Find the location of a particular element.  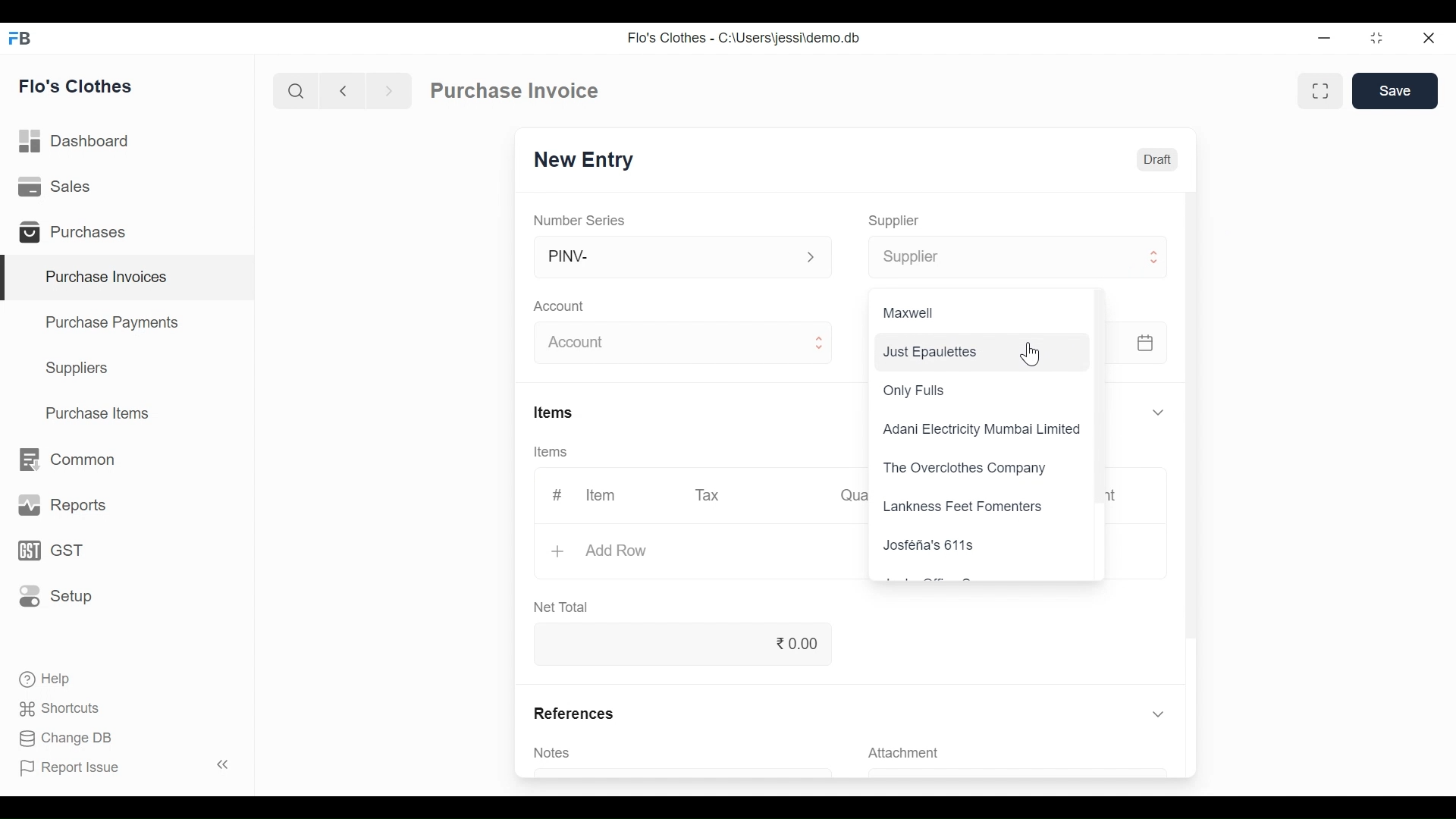

Net Total is located at coordinates (565, 607).